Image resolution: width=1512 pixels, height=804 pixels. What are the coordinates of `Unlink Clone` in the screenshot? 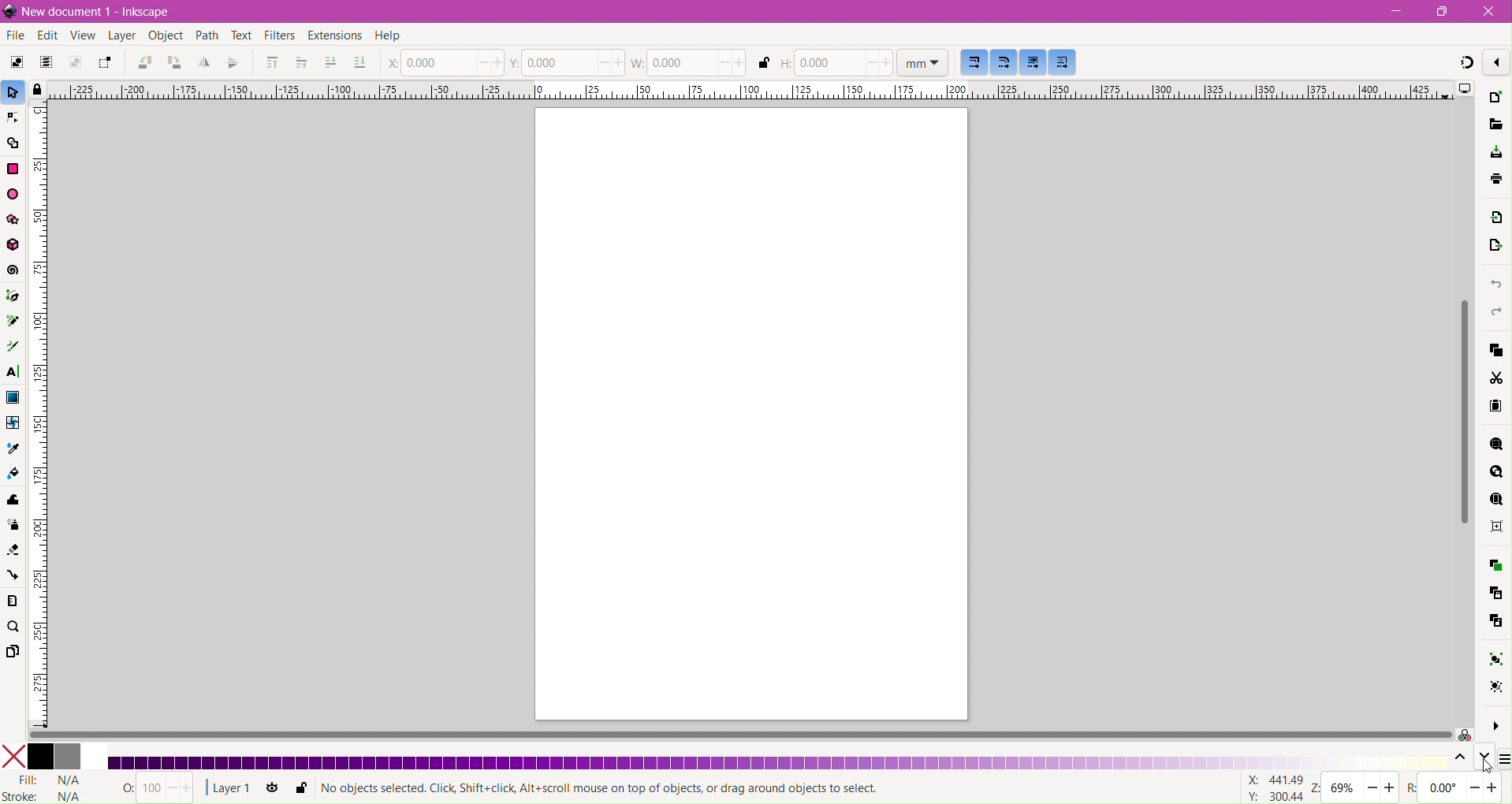 It's located at (1495, 623).